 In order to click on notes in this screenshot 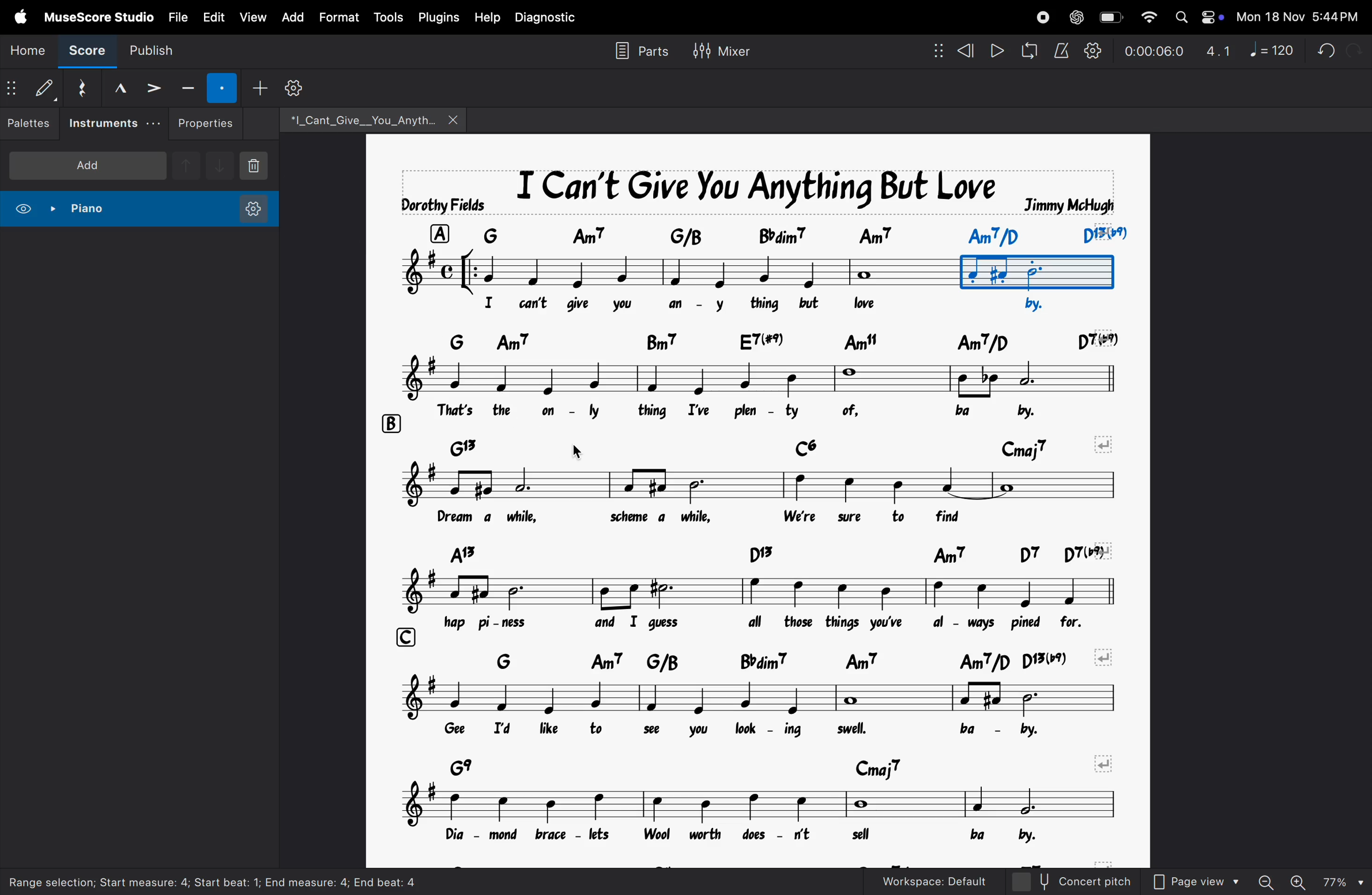, I will do `click(677, 271)`.